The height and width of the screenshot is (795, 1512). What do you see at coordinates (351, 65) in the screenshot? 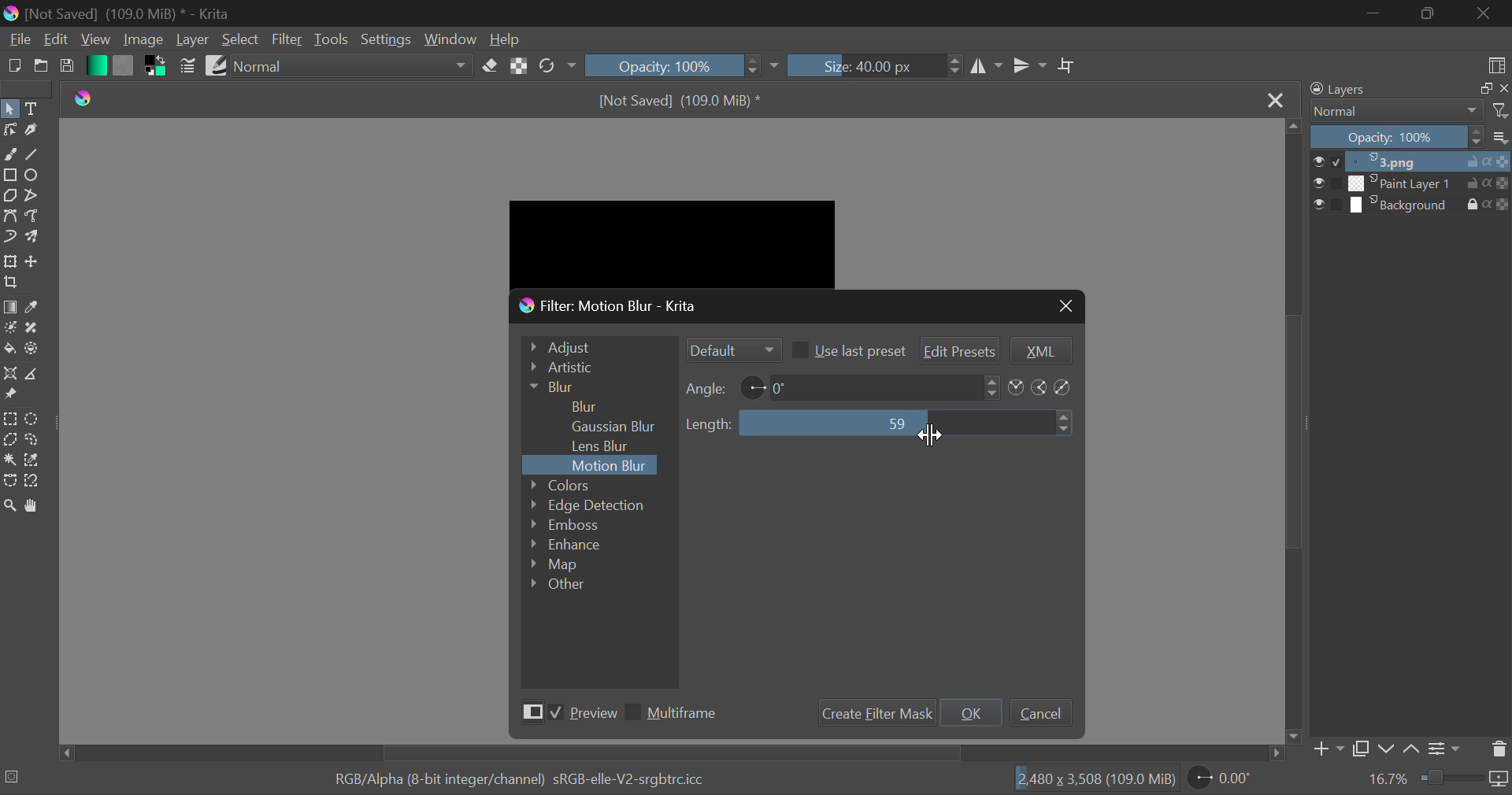
I see `normal` at bounding box center [351, 65].